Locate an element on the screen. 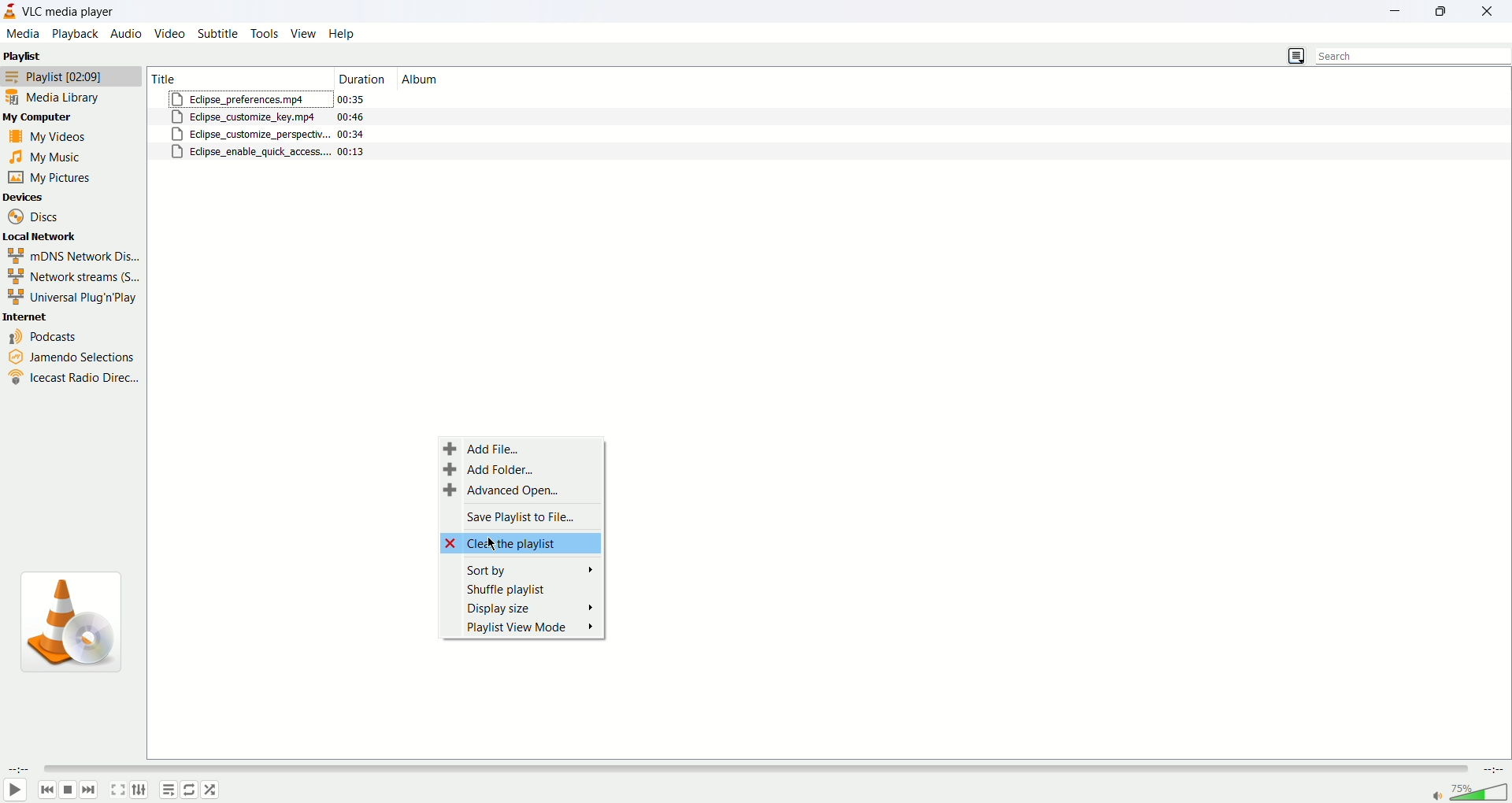 This screenshot has height=803, width=1512. audio is located at coordinates (127, 35).